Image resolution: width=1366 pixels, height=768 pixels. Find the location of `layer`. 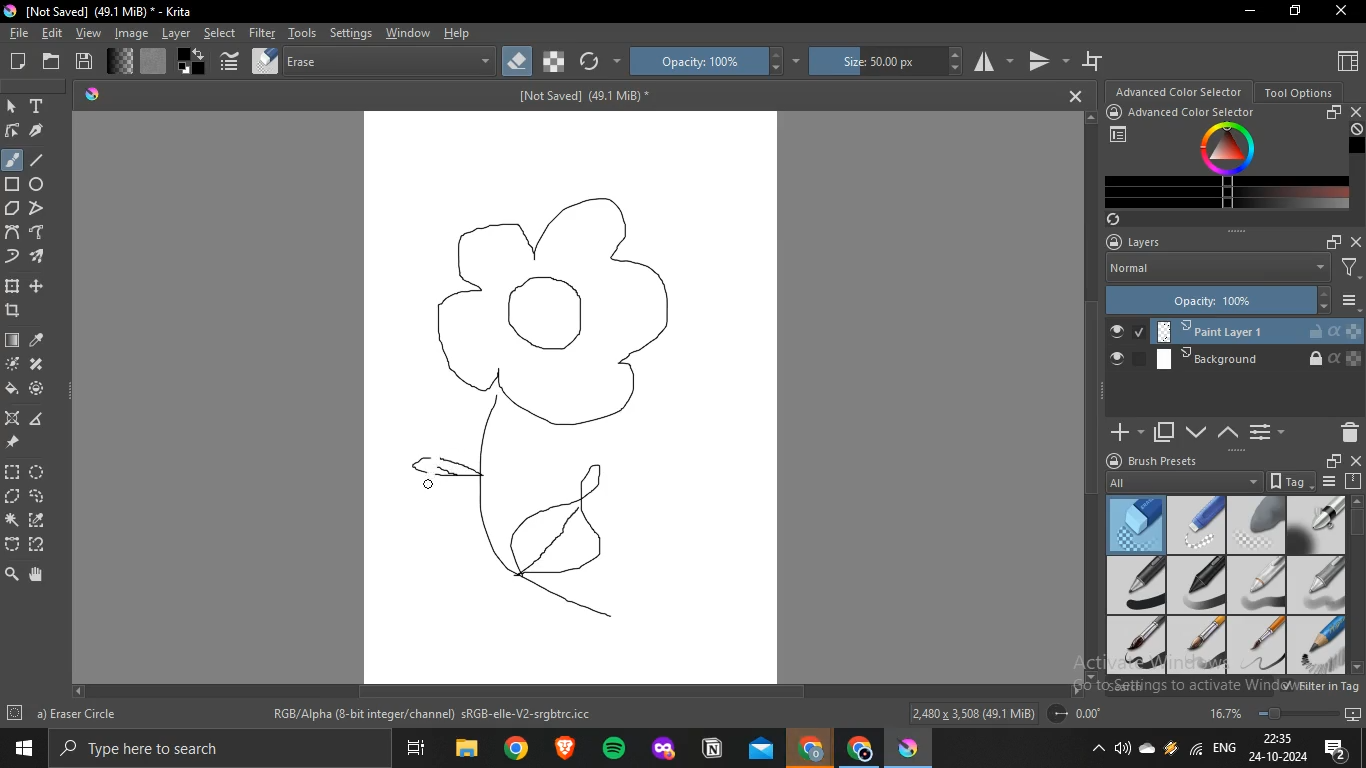

layer is located at coordinates (173, 34).